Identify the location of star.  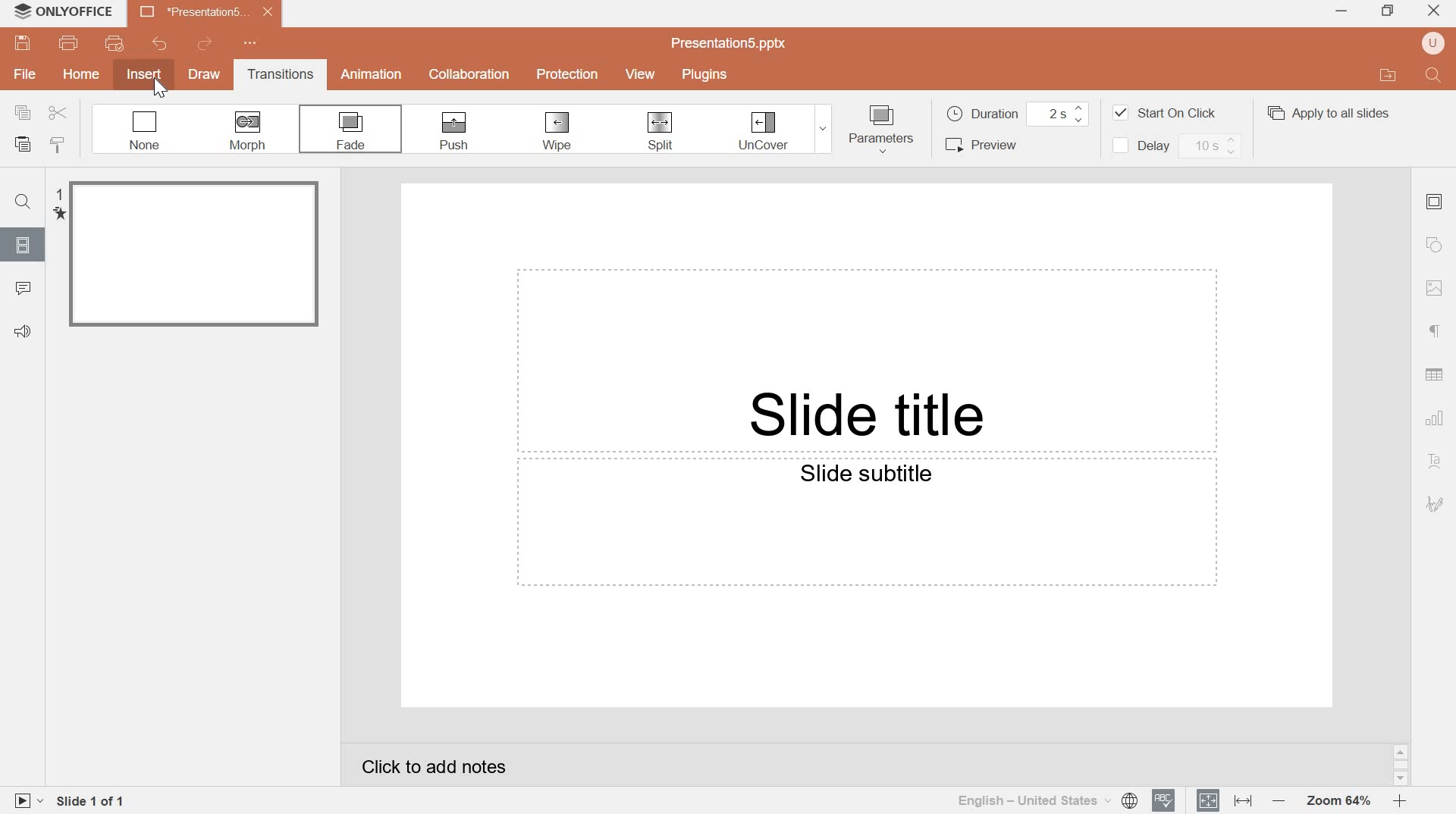
(58, 214).